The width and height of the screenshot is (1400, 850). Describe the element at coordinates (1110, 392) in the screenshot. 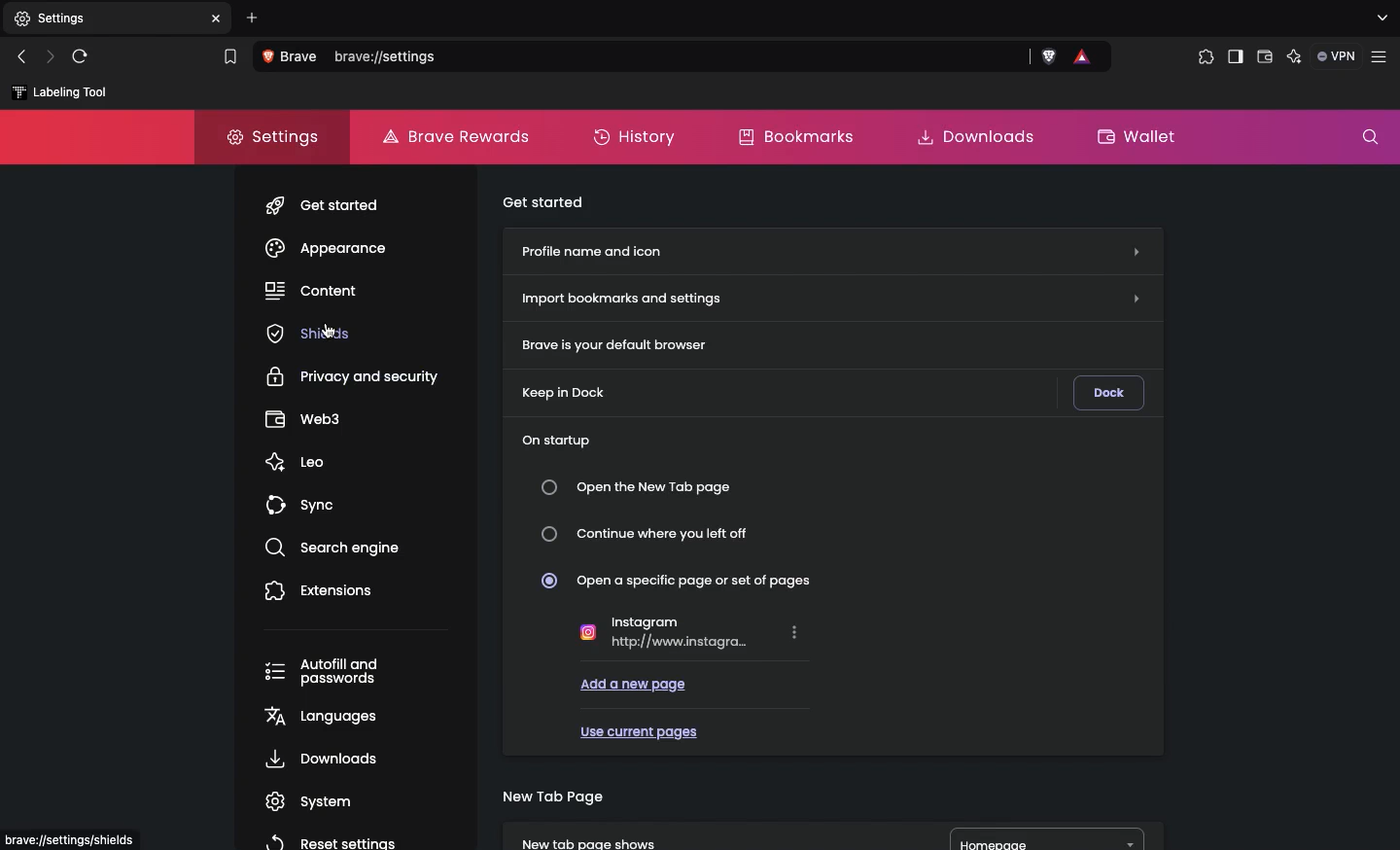

I see `Dock` at that location.